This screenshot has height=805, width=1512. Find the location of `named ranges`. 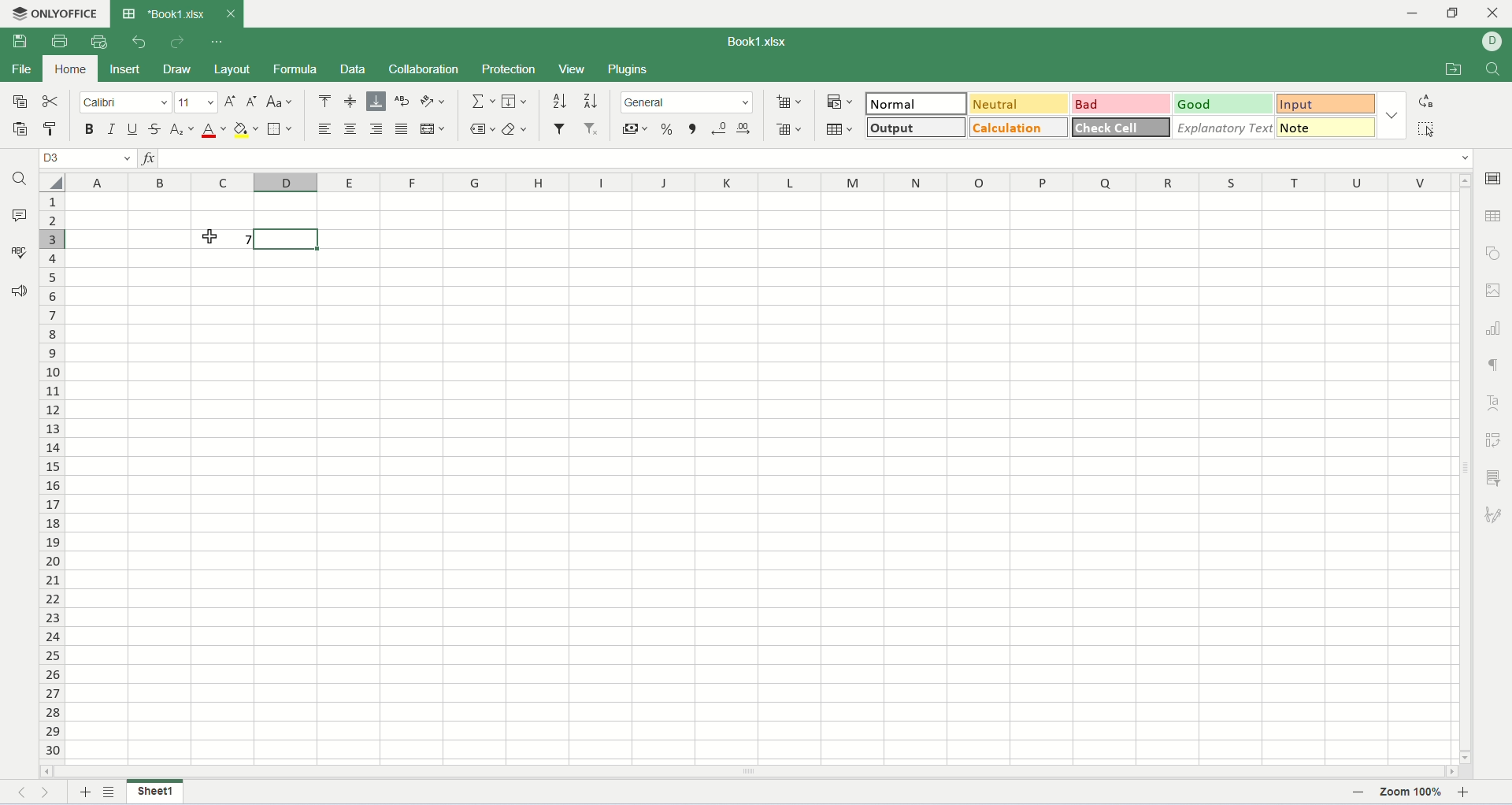

named ranges is located at coordinates (483, 131).